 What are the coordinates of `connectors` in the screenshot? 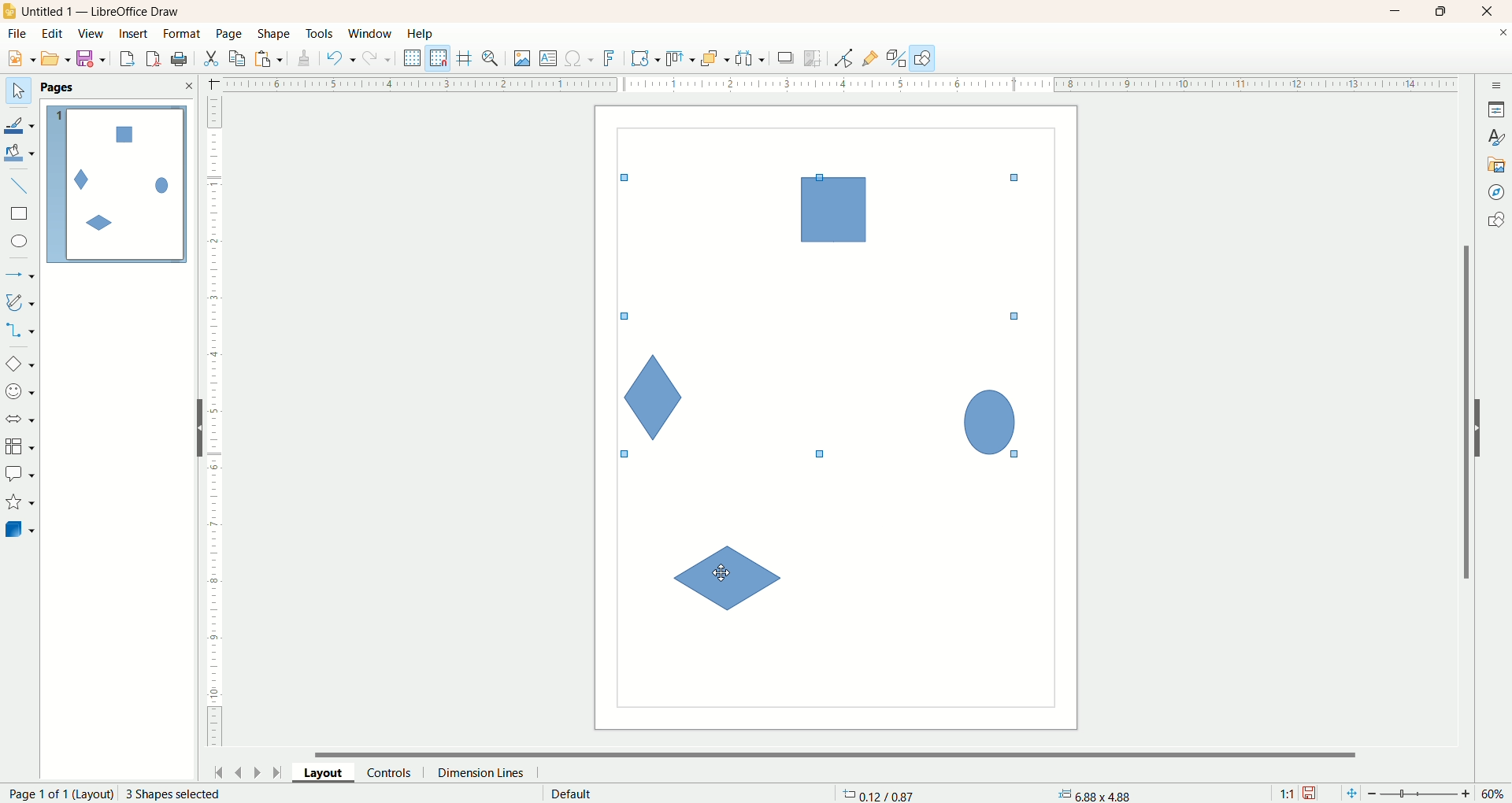 It's located at (20, 330).